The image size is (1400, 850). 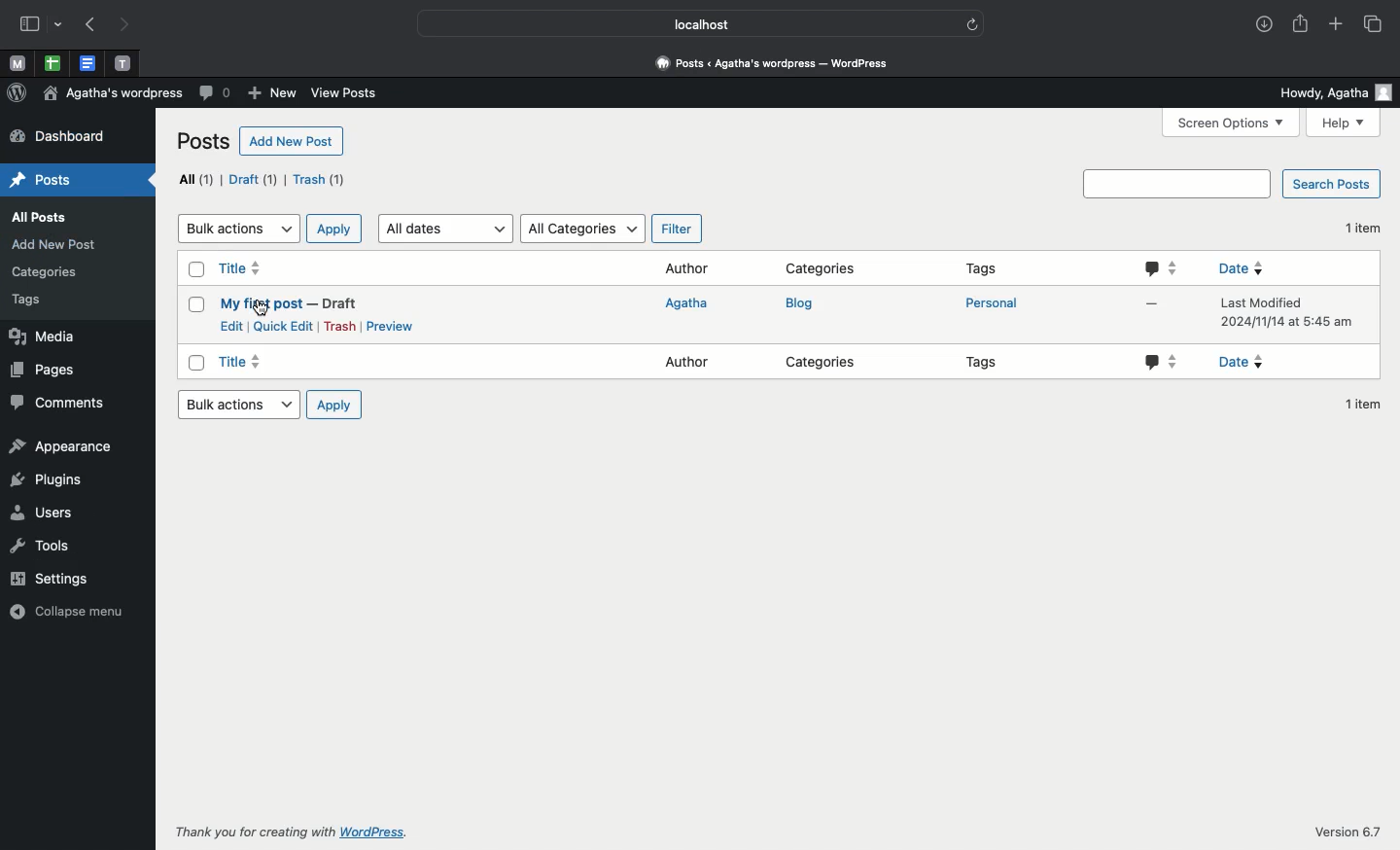 What do you see at coordinates (52, 243) in the screenshot?
I see `Add New Post` at bounding box center [52, 243].